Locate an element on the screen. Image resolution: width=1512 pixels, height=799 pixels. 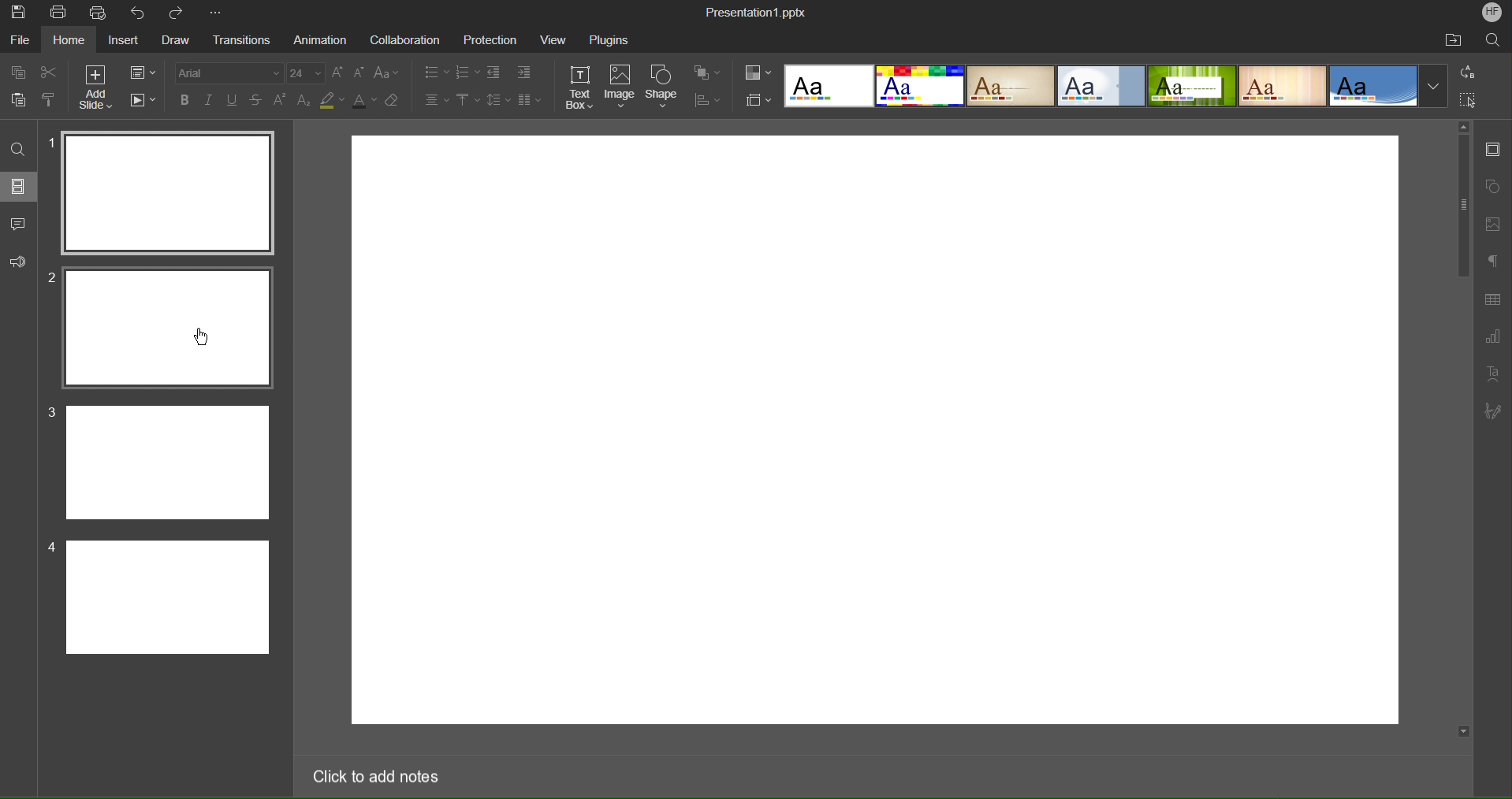
scroll bar is located at coordinates (1465, 426).